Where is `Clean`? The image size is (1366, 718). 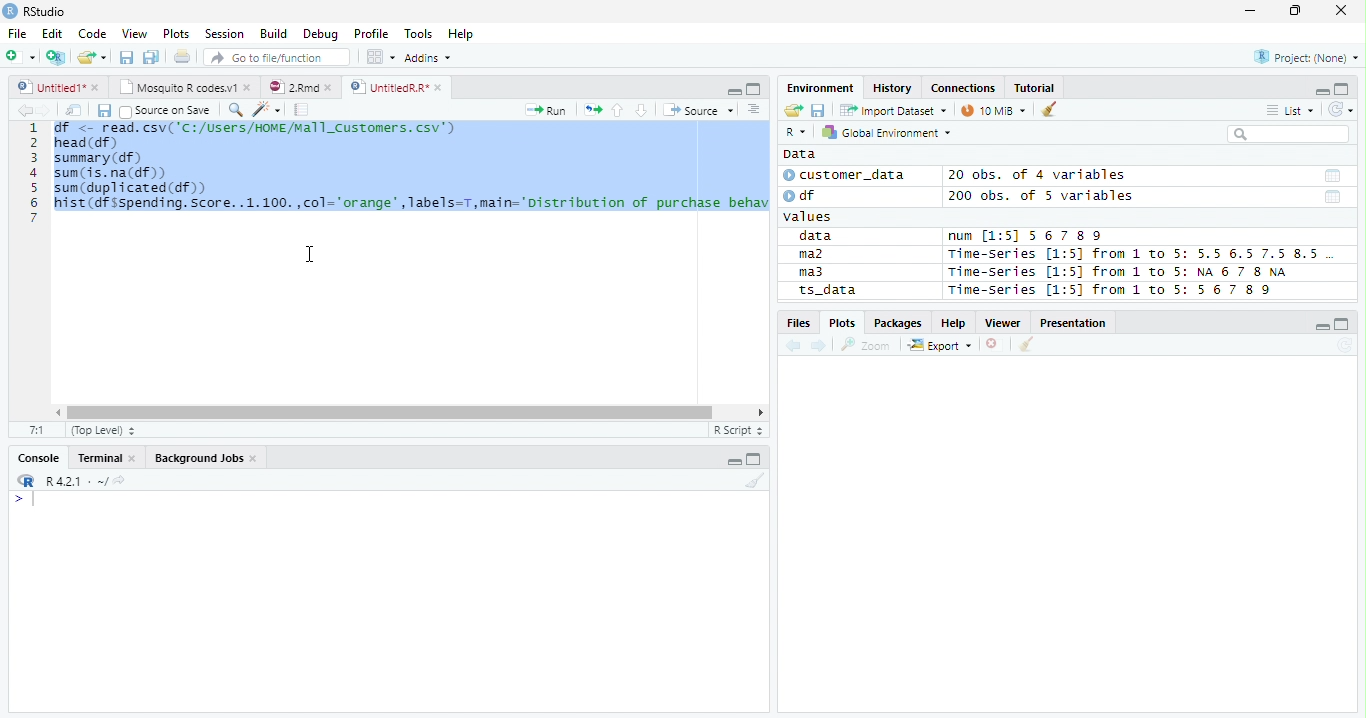
Clean is located at coordinates (755, 482).